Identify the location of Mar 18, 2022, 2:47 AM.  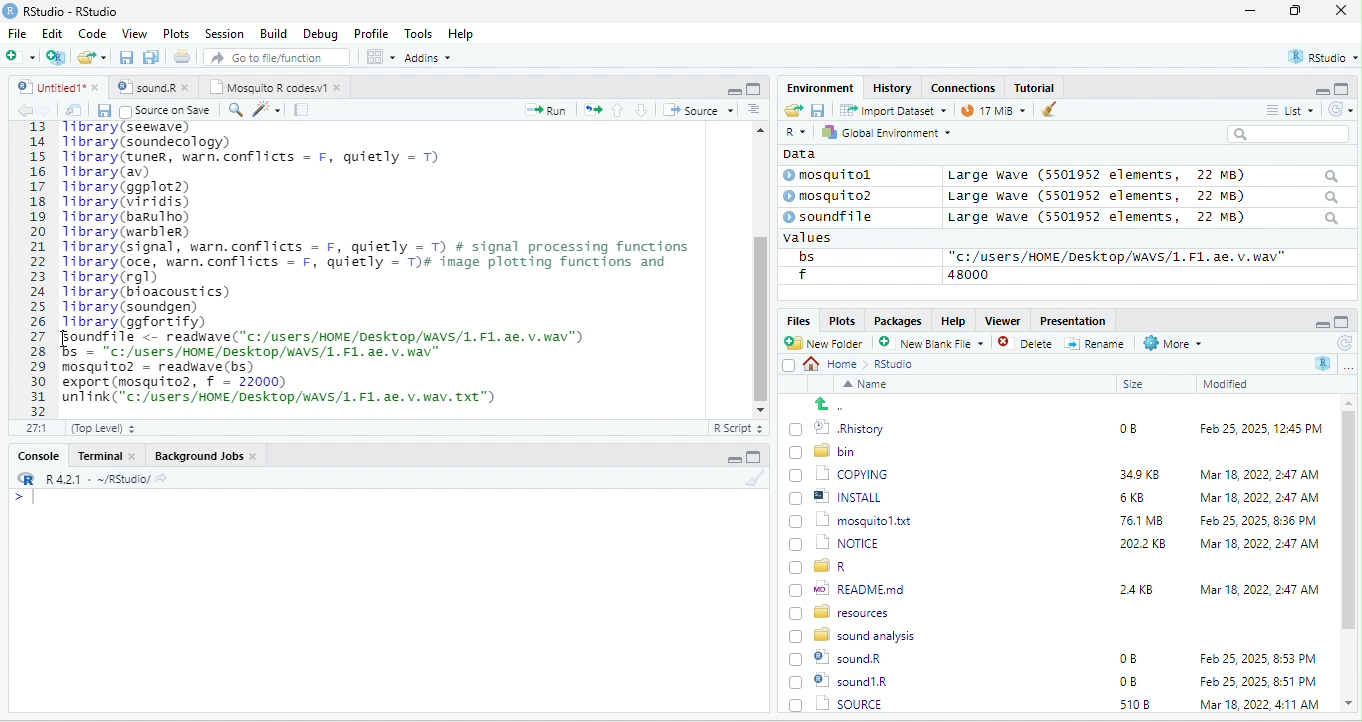
(1259, 588).